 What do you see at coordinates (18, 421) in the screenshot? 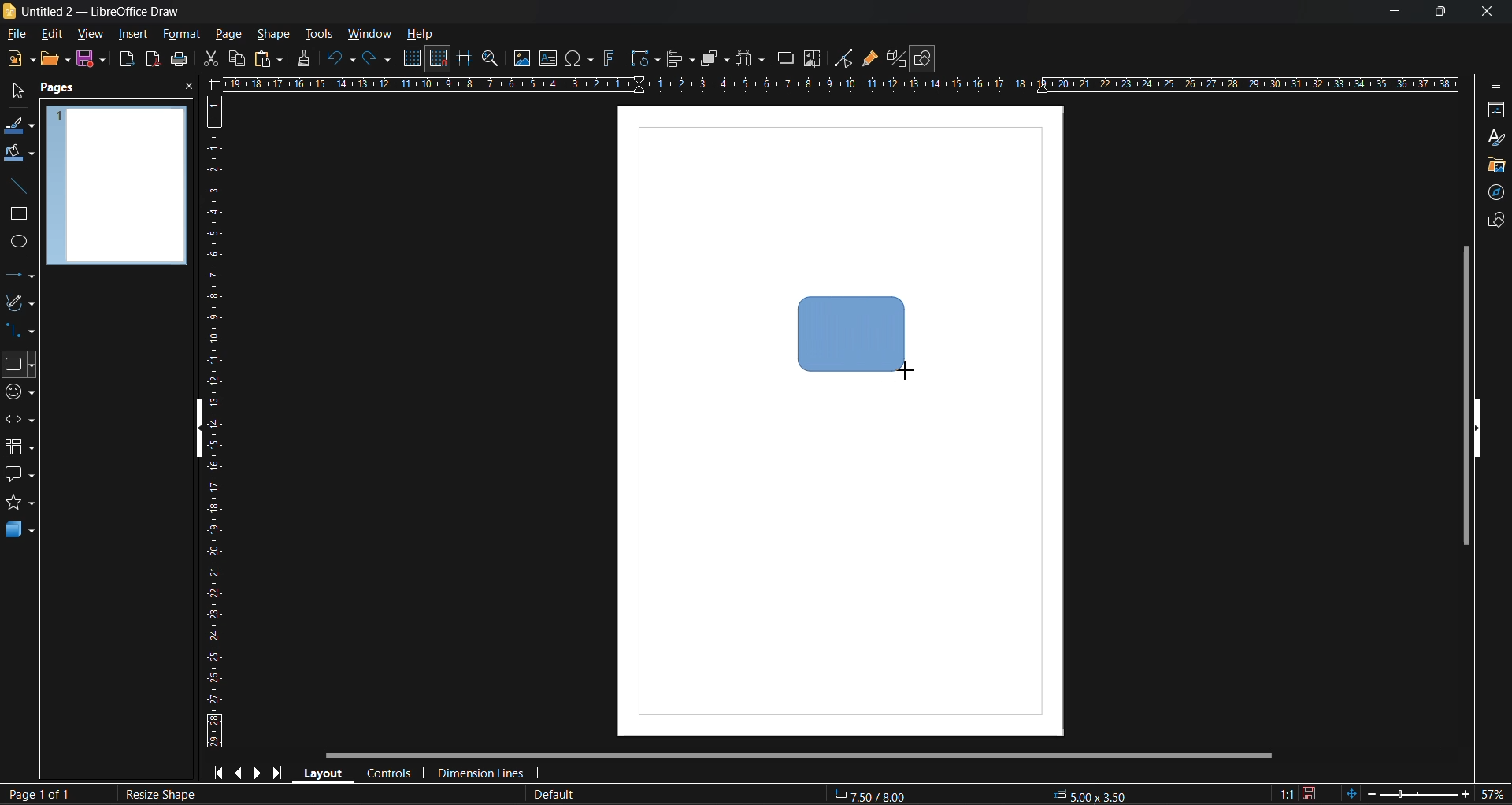
I see `block arrows` at bounding box center [18, 421].